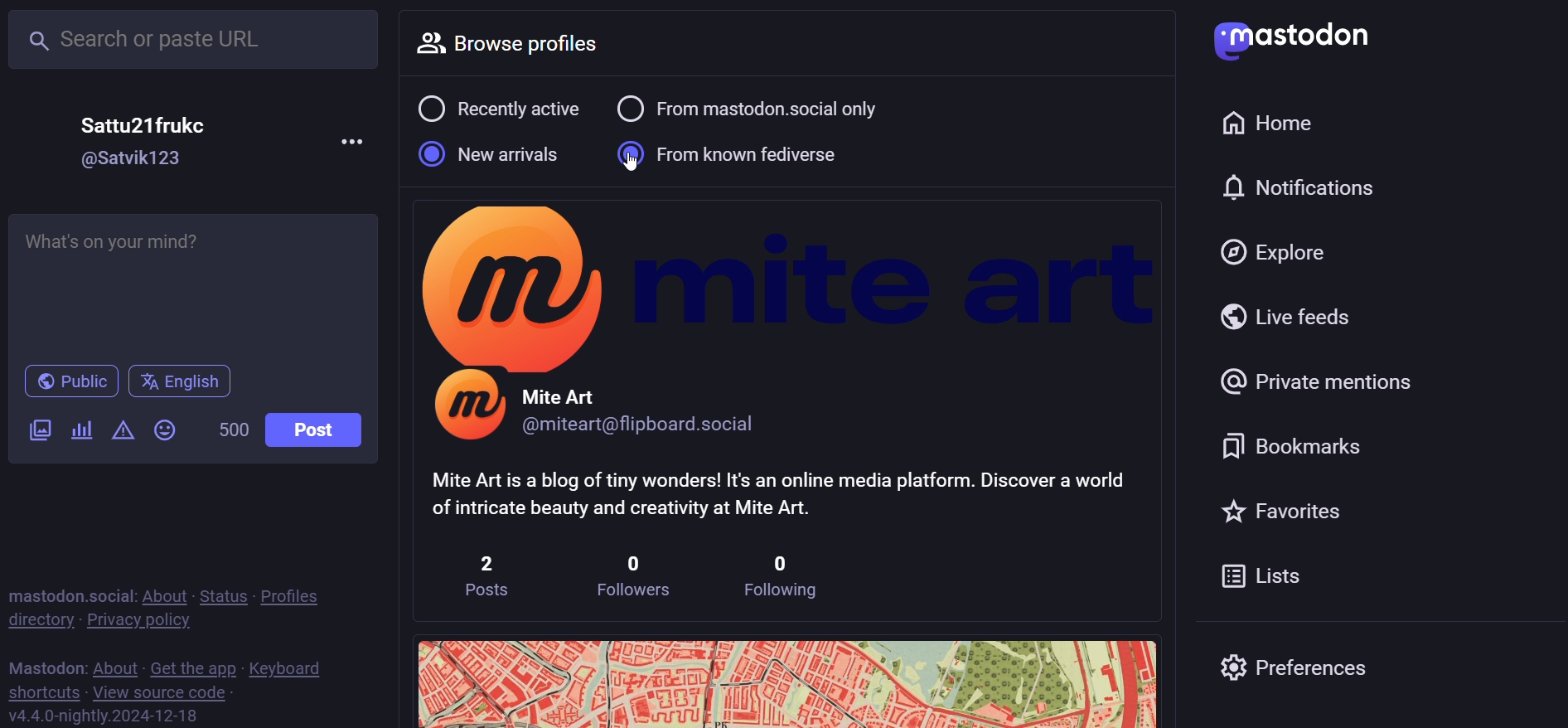  Describe the element at coordinates (494, 574) in the screenshot. I see `2 posts` at that location.